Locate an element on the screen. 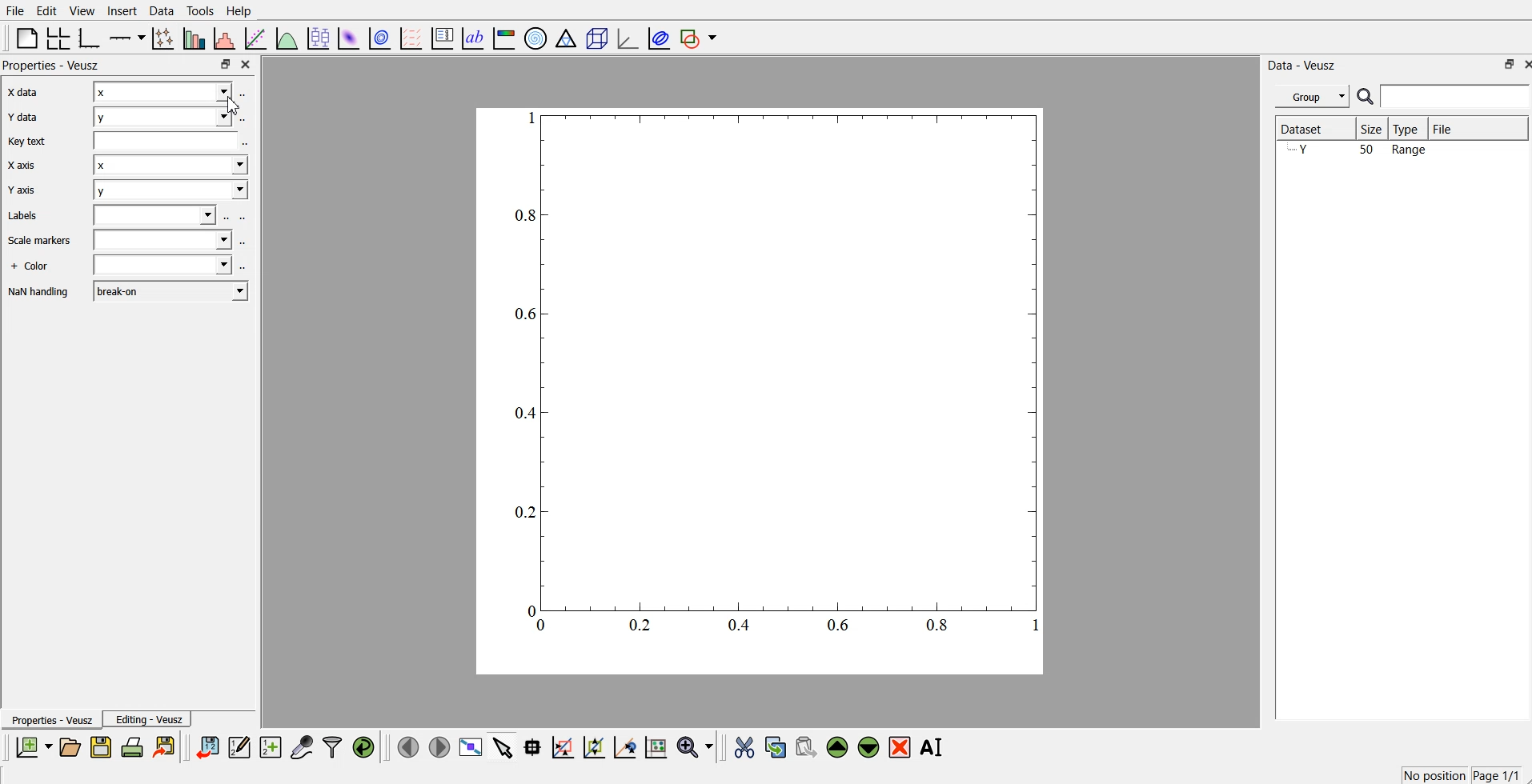 Image resolution: width=1532 pixels, height=784 pixels. File is located at coordinates (16, 10).